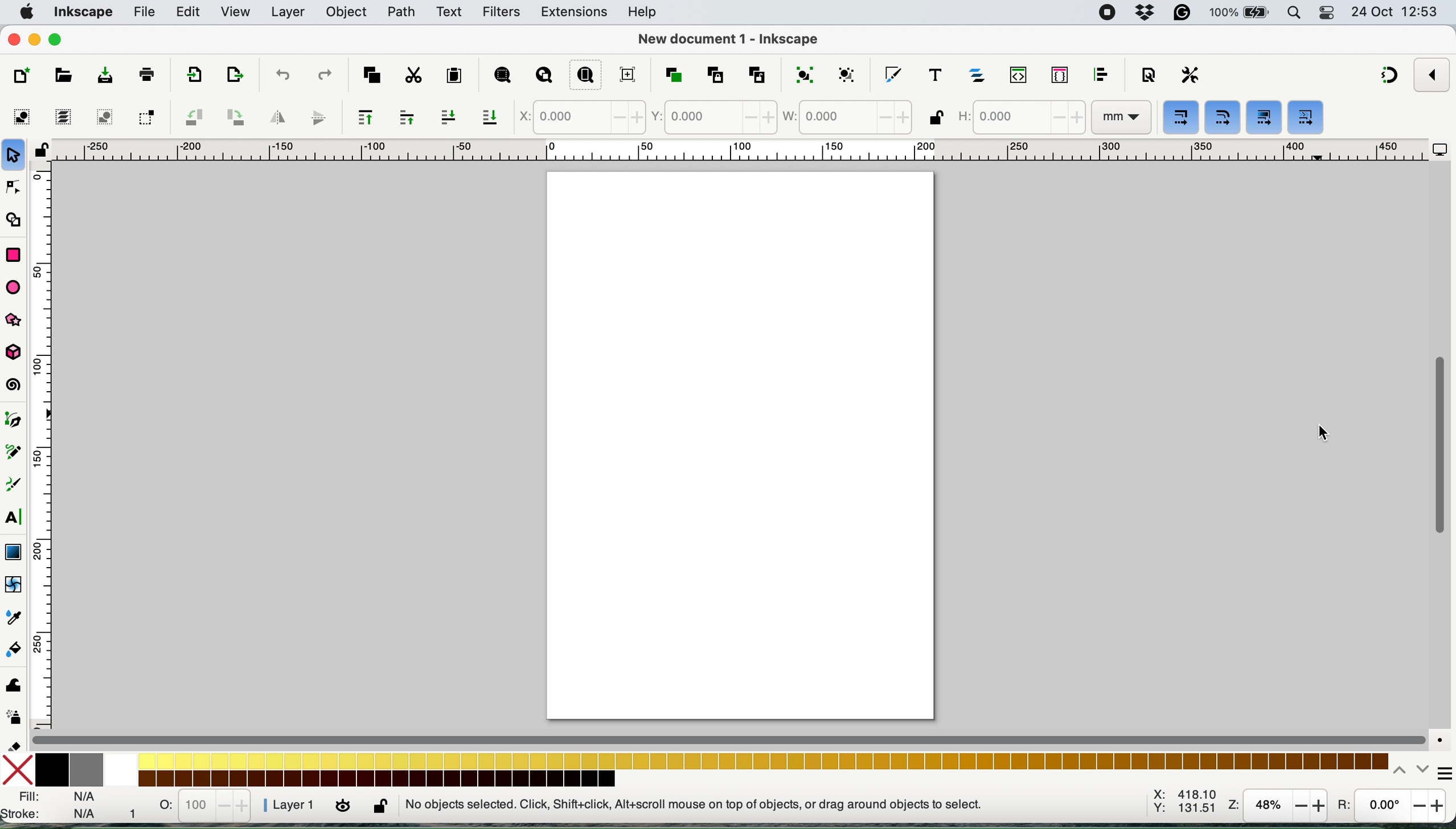 The width and height of the screenshot is (1456, 829). Describe the element at coordinates (743, 445) in the screenshot. I see `Page` at that location.